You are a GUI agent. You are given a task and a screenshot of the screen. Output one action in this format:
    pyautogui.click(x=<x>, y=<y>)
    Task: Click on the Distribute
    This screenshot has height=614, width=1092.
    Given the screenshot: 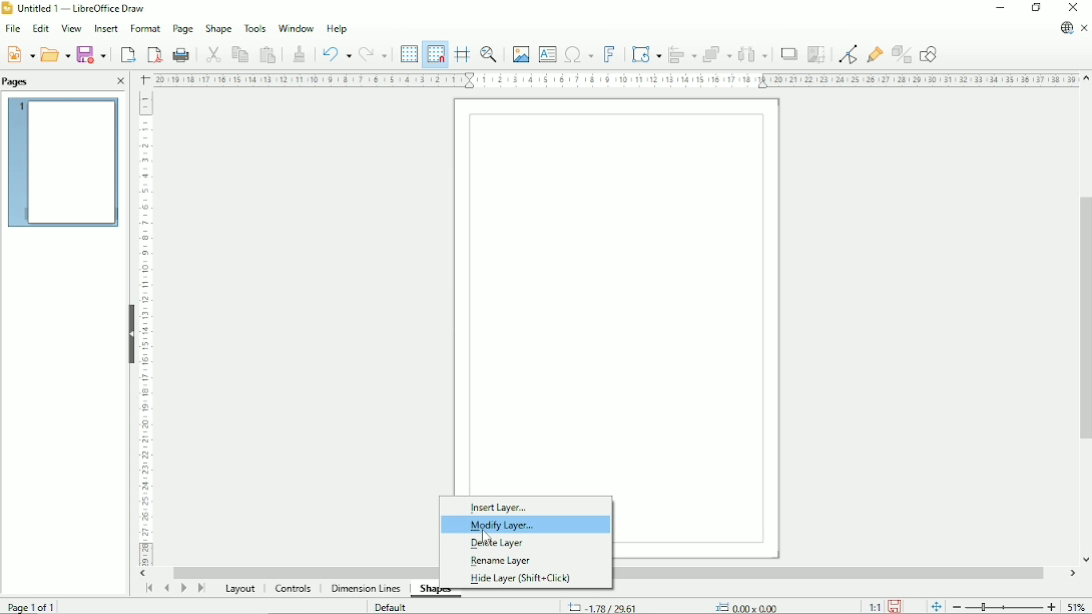 What is the action you would take?
    pyautogui.click(x=753, y=54)
    